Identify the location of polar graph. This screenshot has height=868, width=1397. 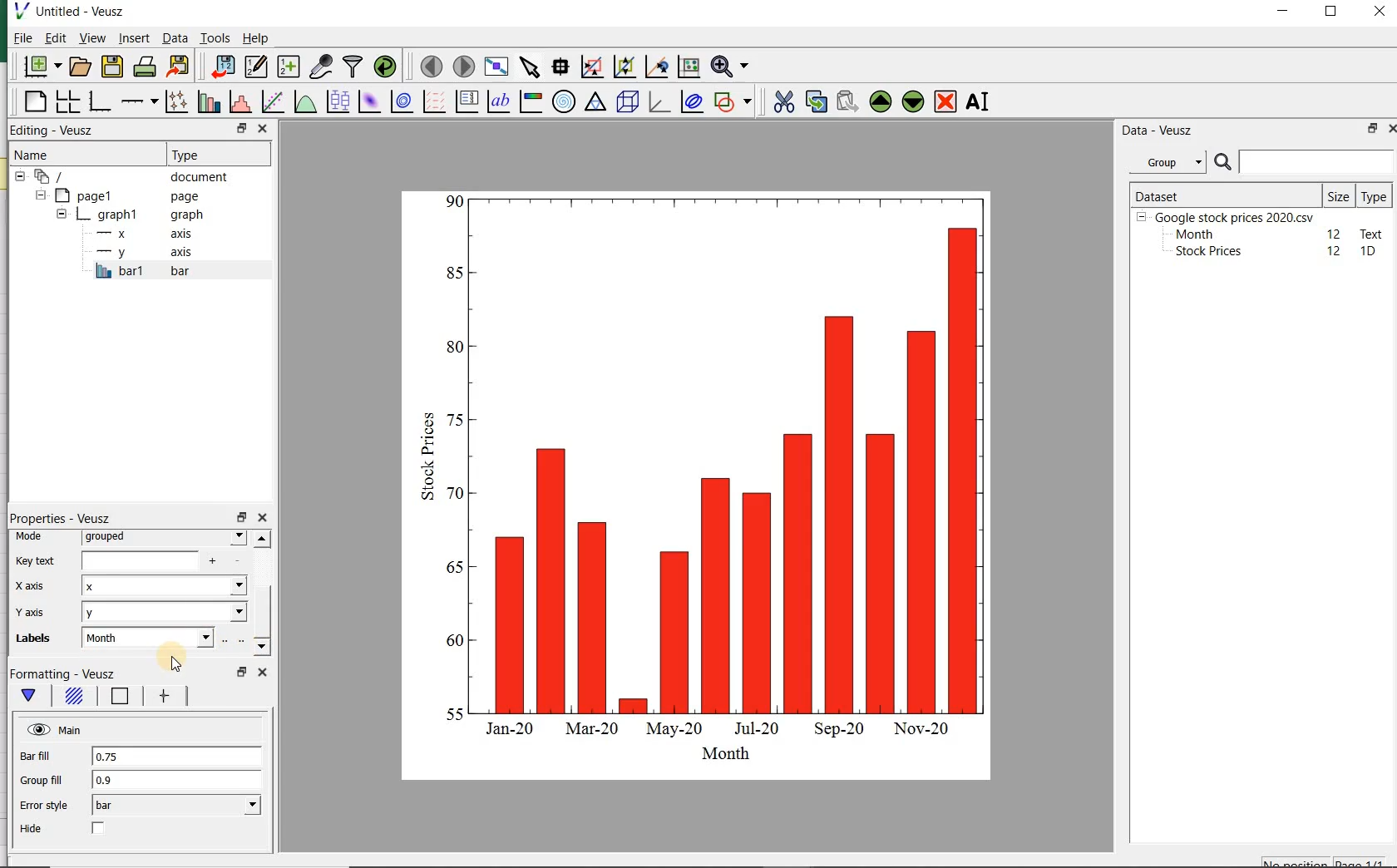
(563, 101).